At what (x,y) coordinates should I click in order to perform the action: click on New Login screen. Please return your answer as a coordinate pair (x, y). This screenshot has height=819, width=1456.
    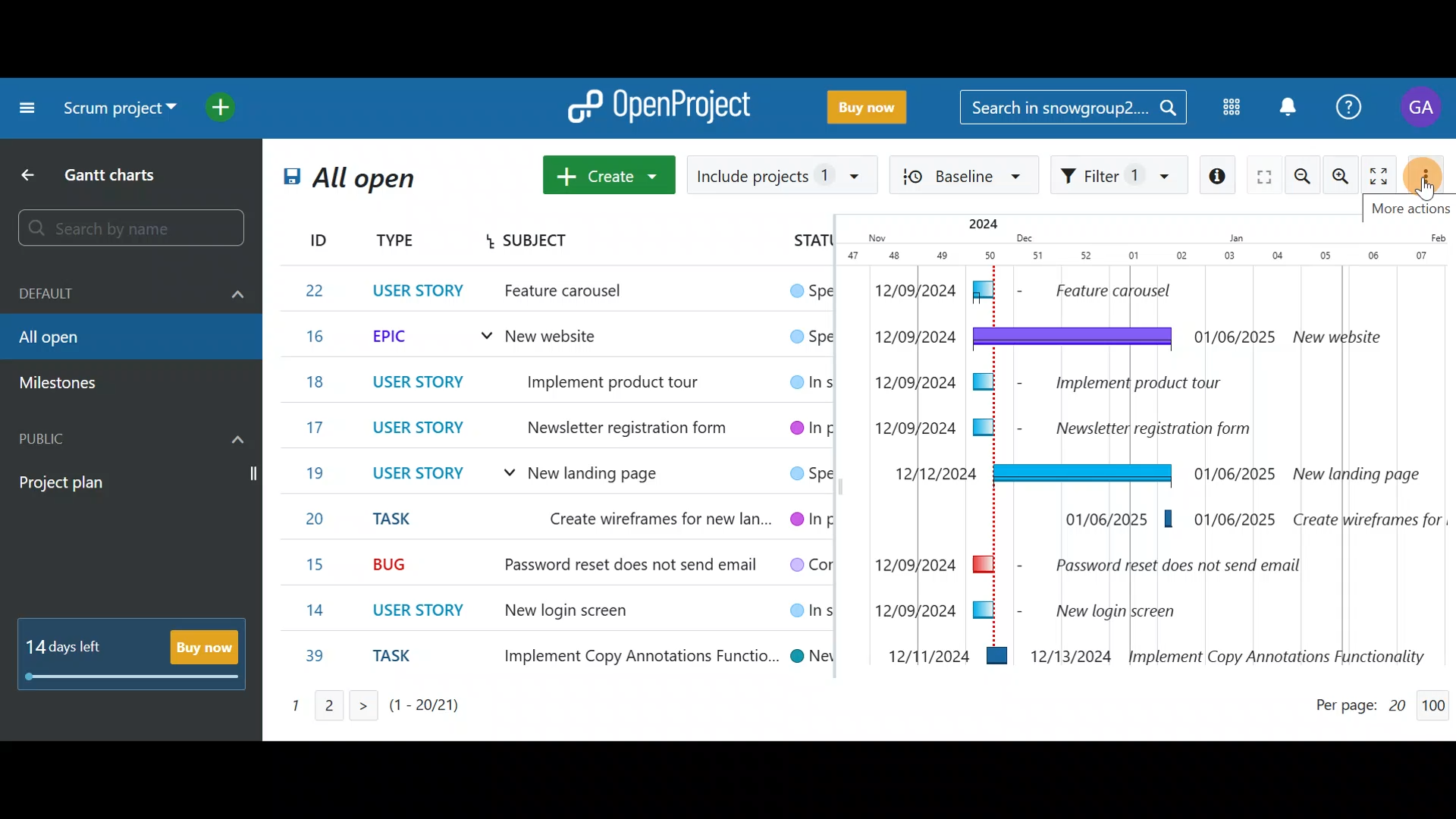
    Looking at the image, I should click on (566, 612).